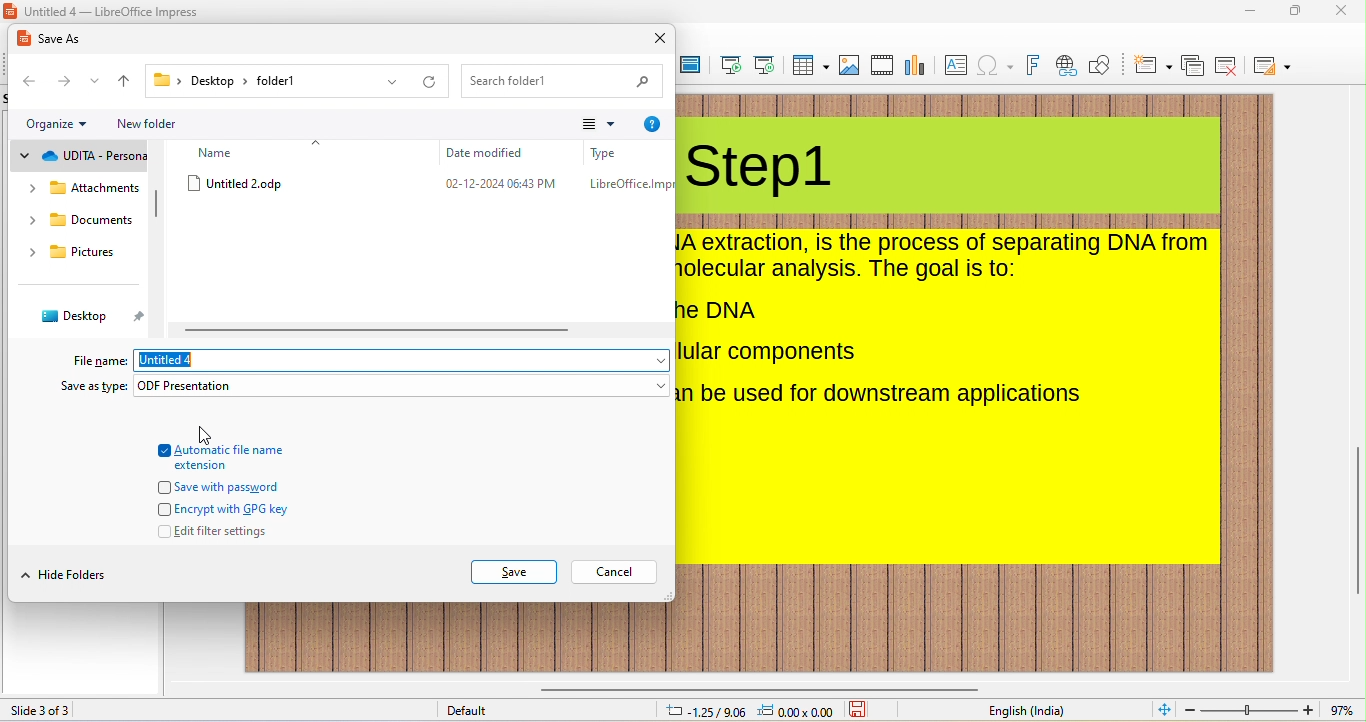  Describe the element at coordinates (606, 153) in the screenshot. I see `type` at that location.